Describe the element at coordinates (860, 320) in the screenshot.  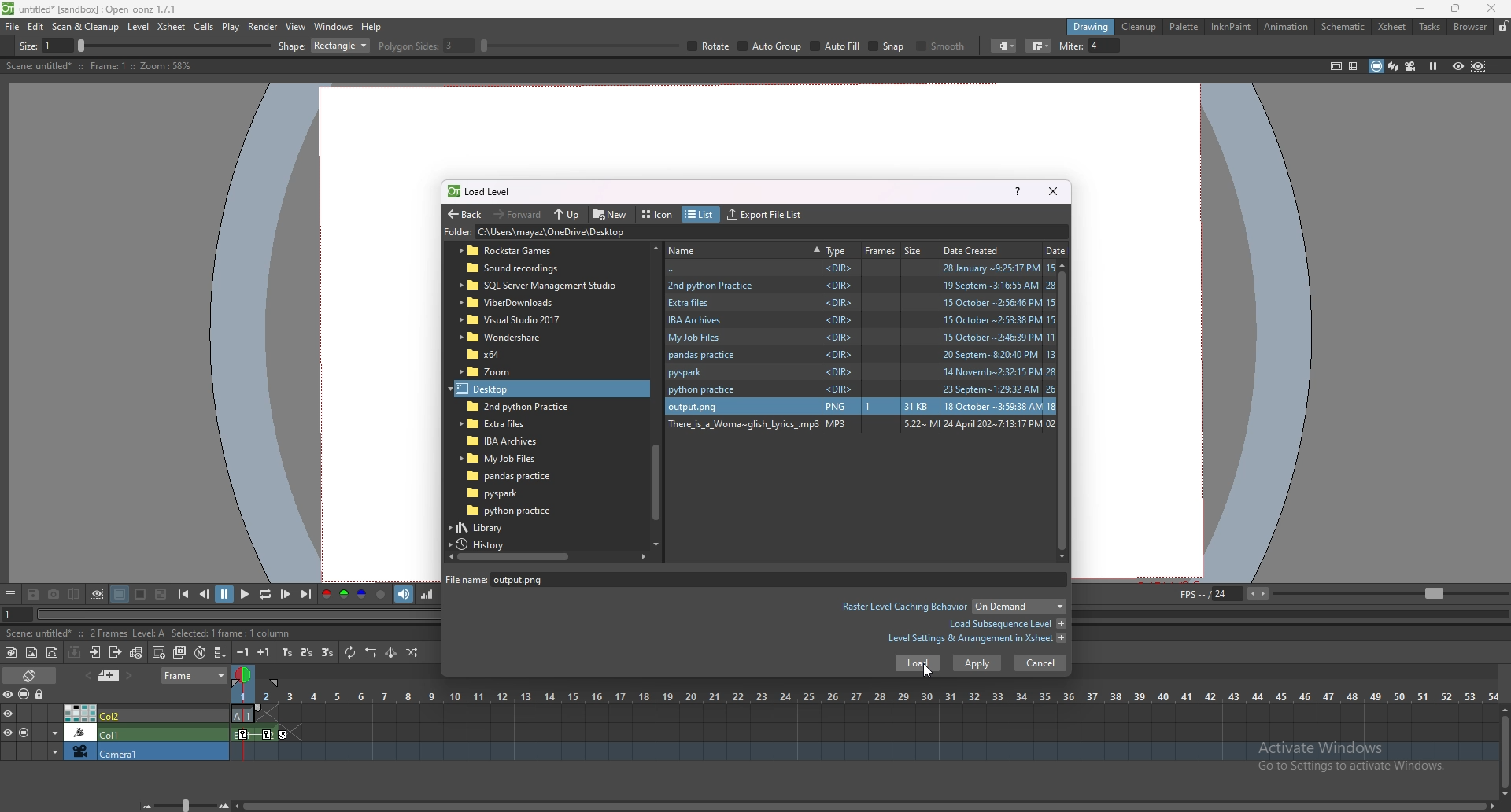
I see `folder` at that location.